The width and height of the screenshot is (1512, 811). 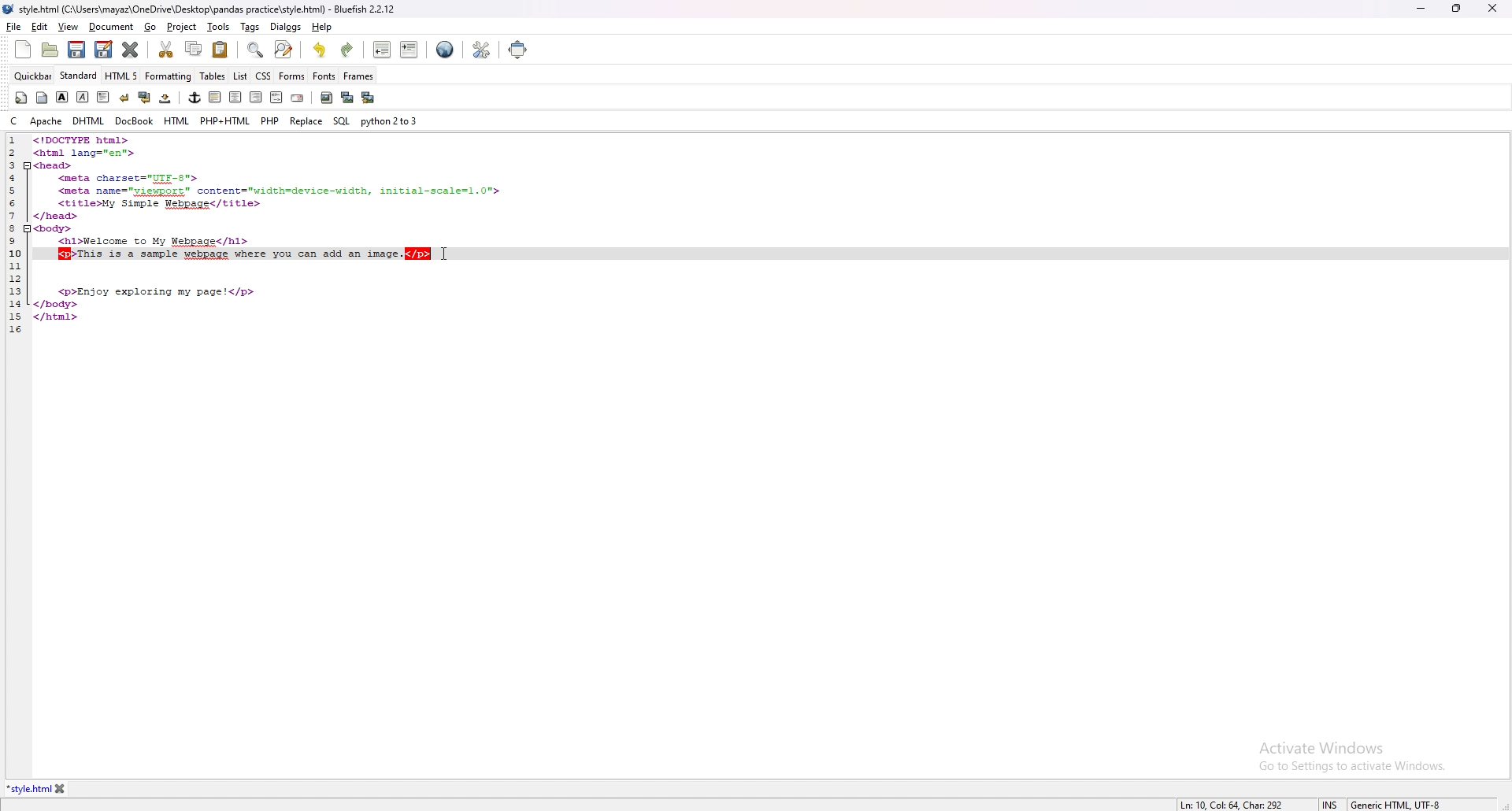 I want to click on close current tab, so click(x=132, y=50).